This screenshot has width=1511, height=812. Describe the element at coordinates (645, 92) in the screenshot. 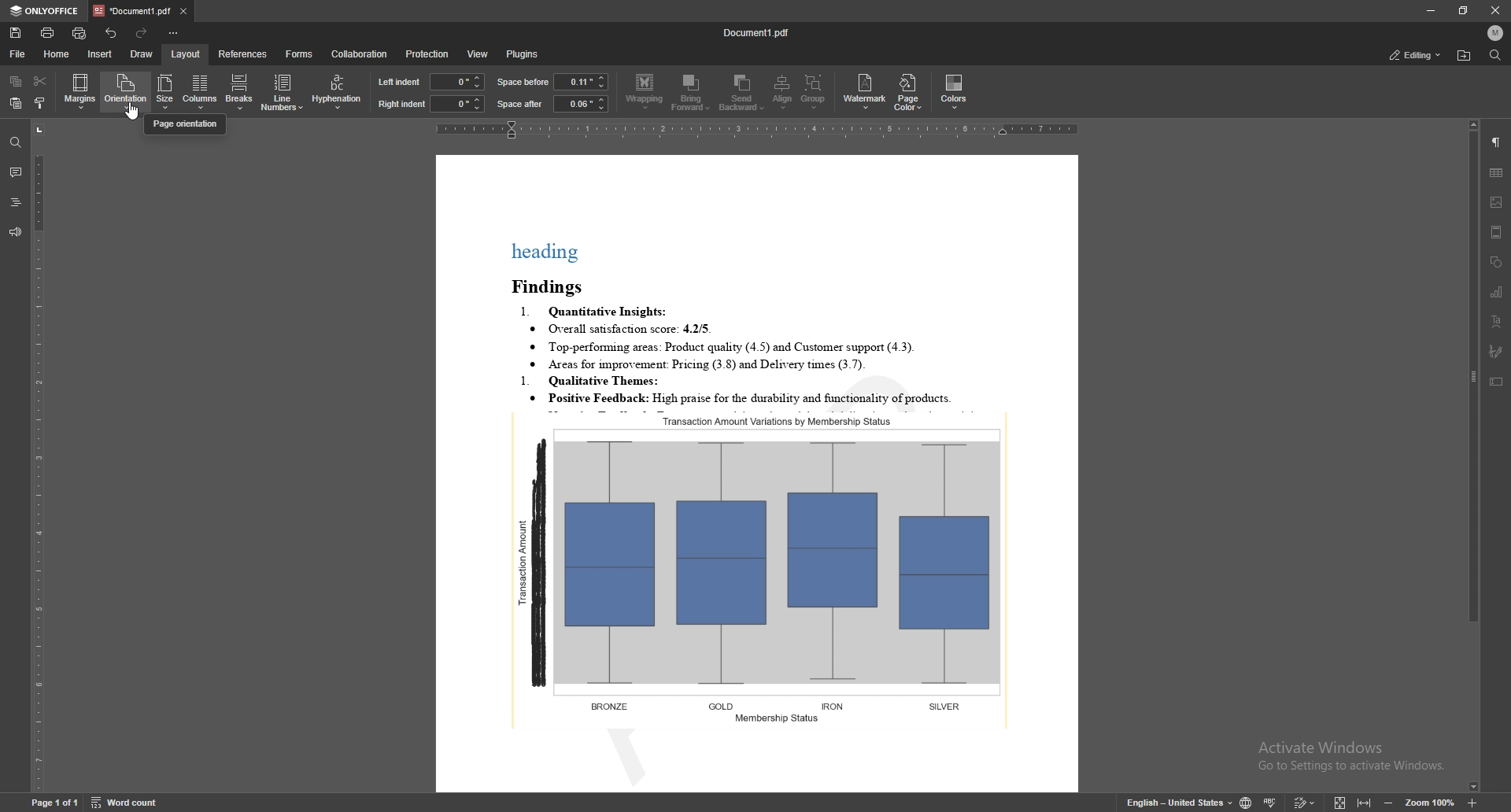

I see `wrapping` at that location.